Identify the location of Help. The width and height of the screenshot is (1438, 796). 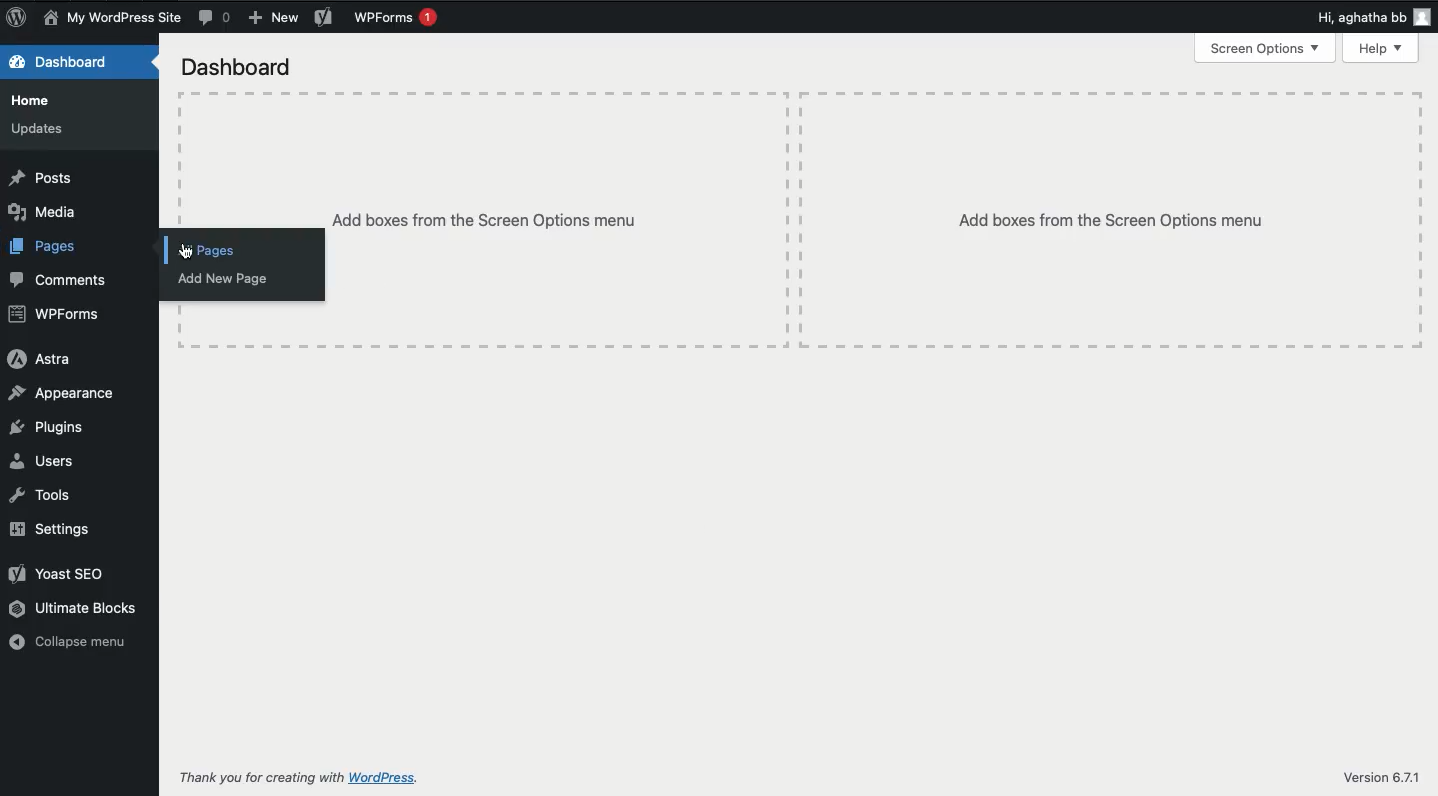
(1382, 48).